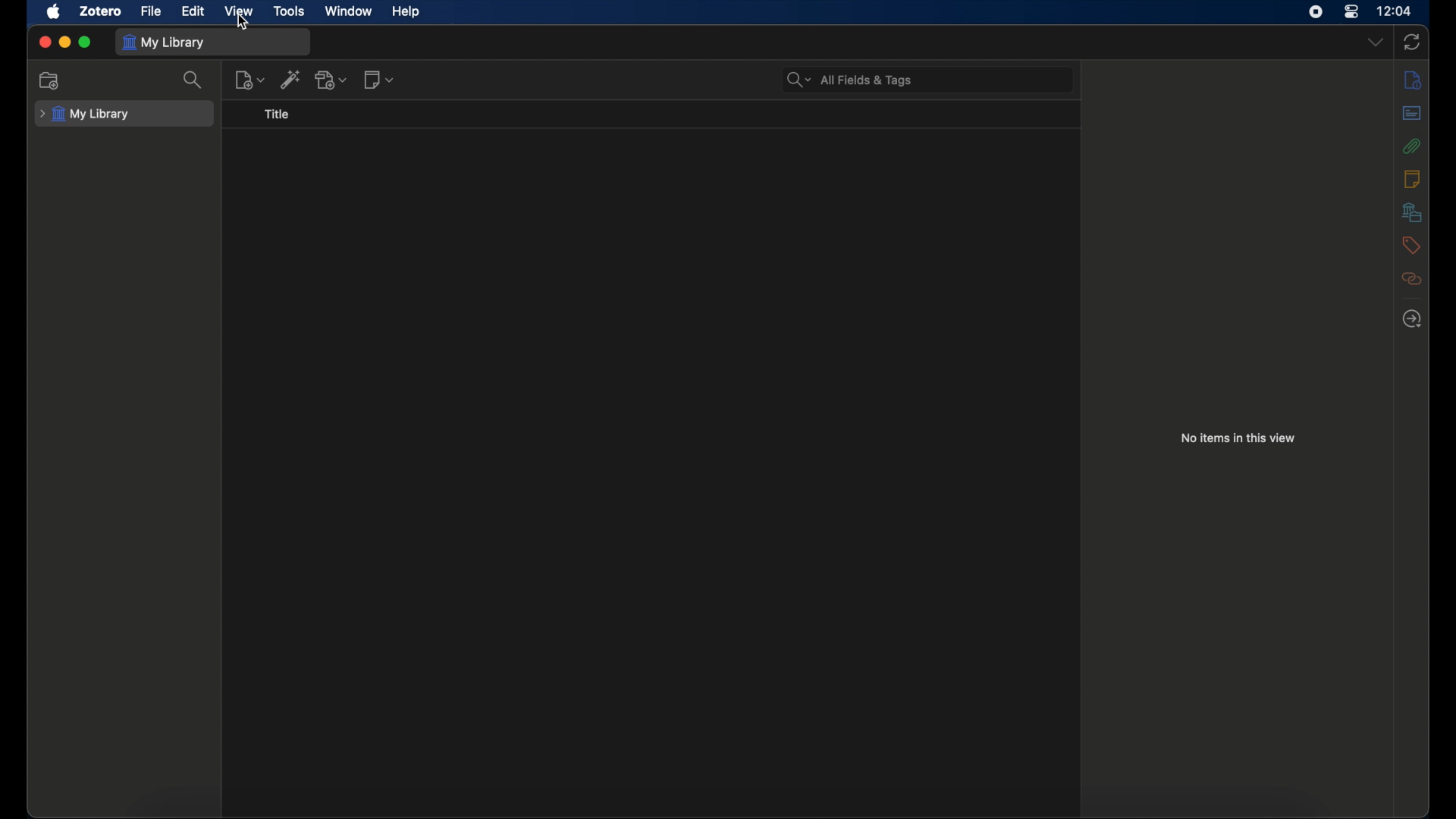  I want to click on view, so click(238, 11).